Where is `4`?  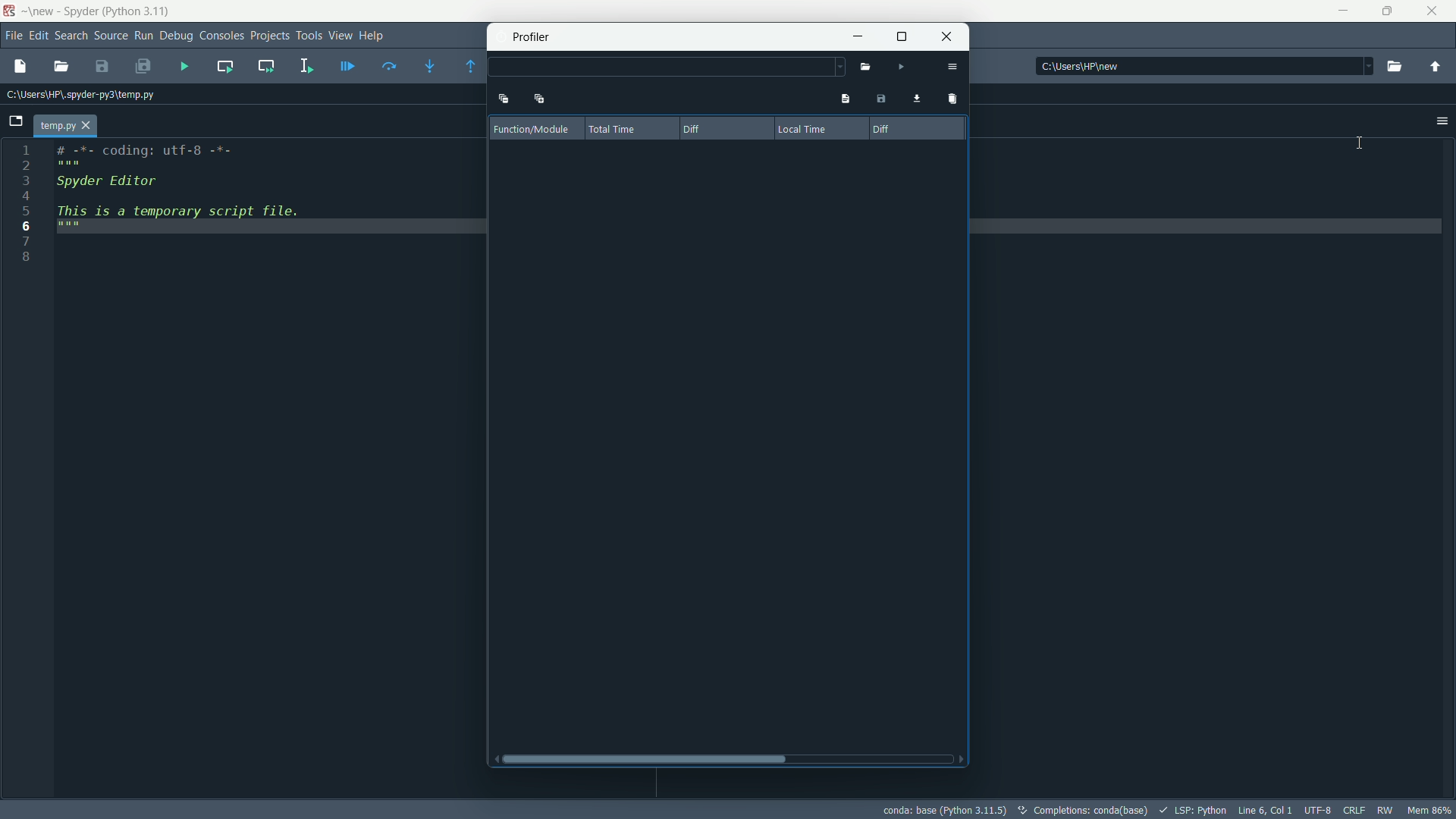
4 is located at coordinates (25, 195).